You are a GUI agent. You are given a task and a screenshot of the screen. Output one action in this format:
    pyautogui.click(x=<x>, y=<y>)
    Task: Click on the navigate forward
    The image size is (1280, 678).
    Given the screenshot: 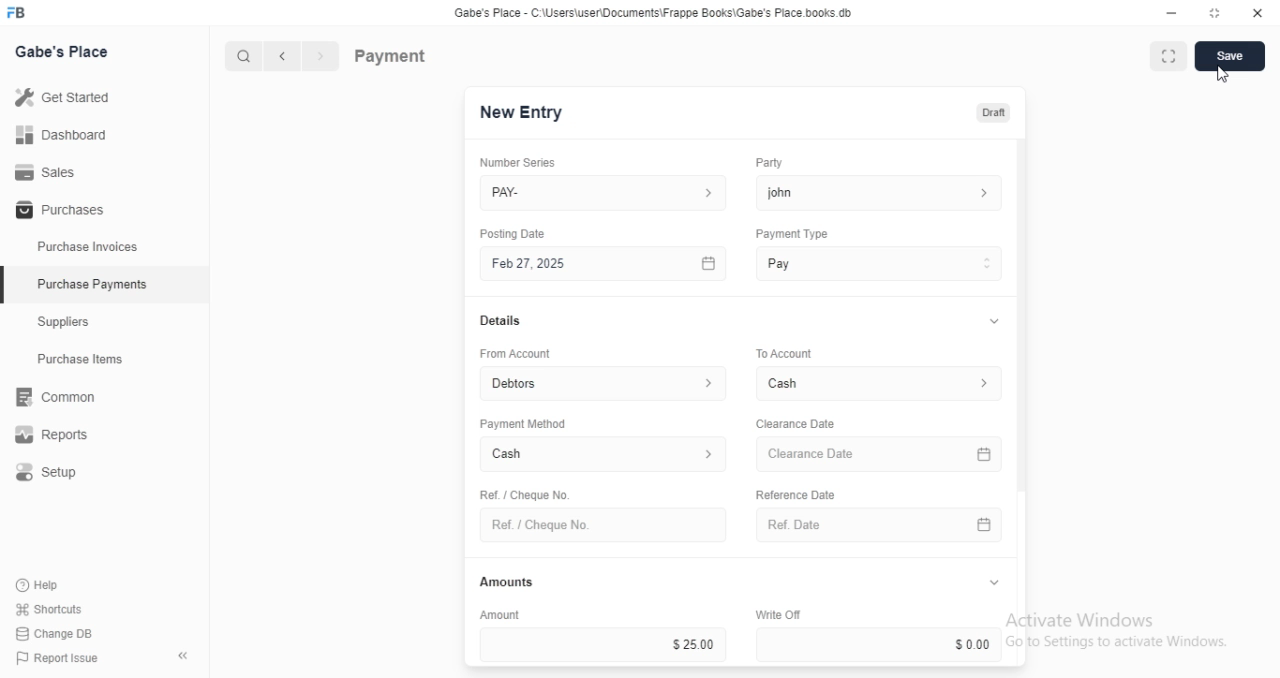 What is the action you would take?
    pyautogui.click(x=322, y=57)
    